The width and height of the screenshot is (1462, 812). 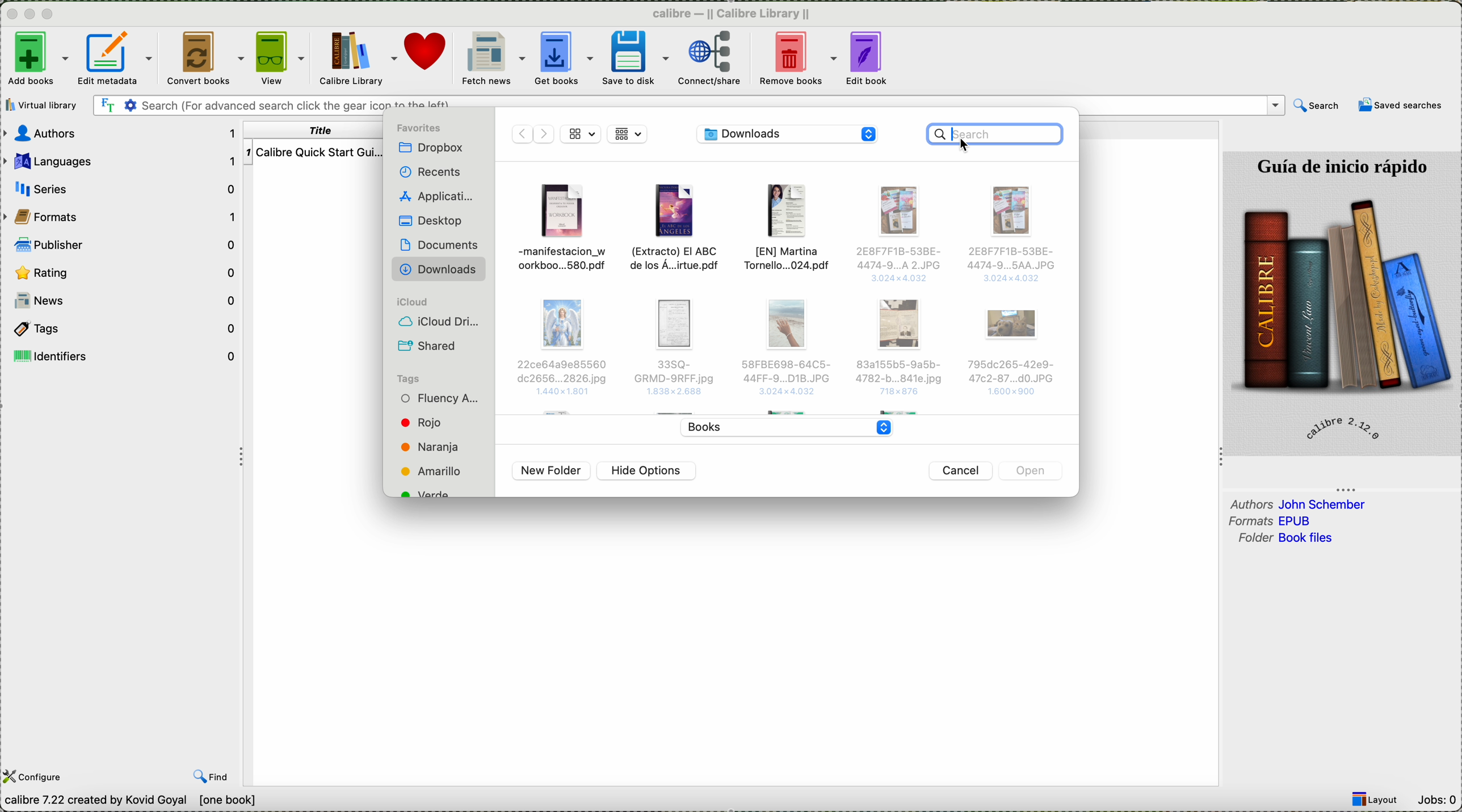 What do you see at coordinates (439, 197) in the screenshot?
I see `applications` at bounding box center [439, 197].